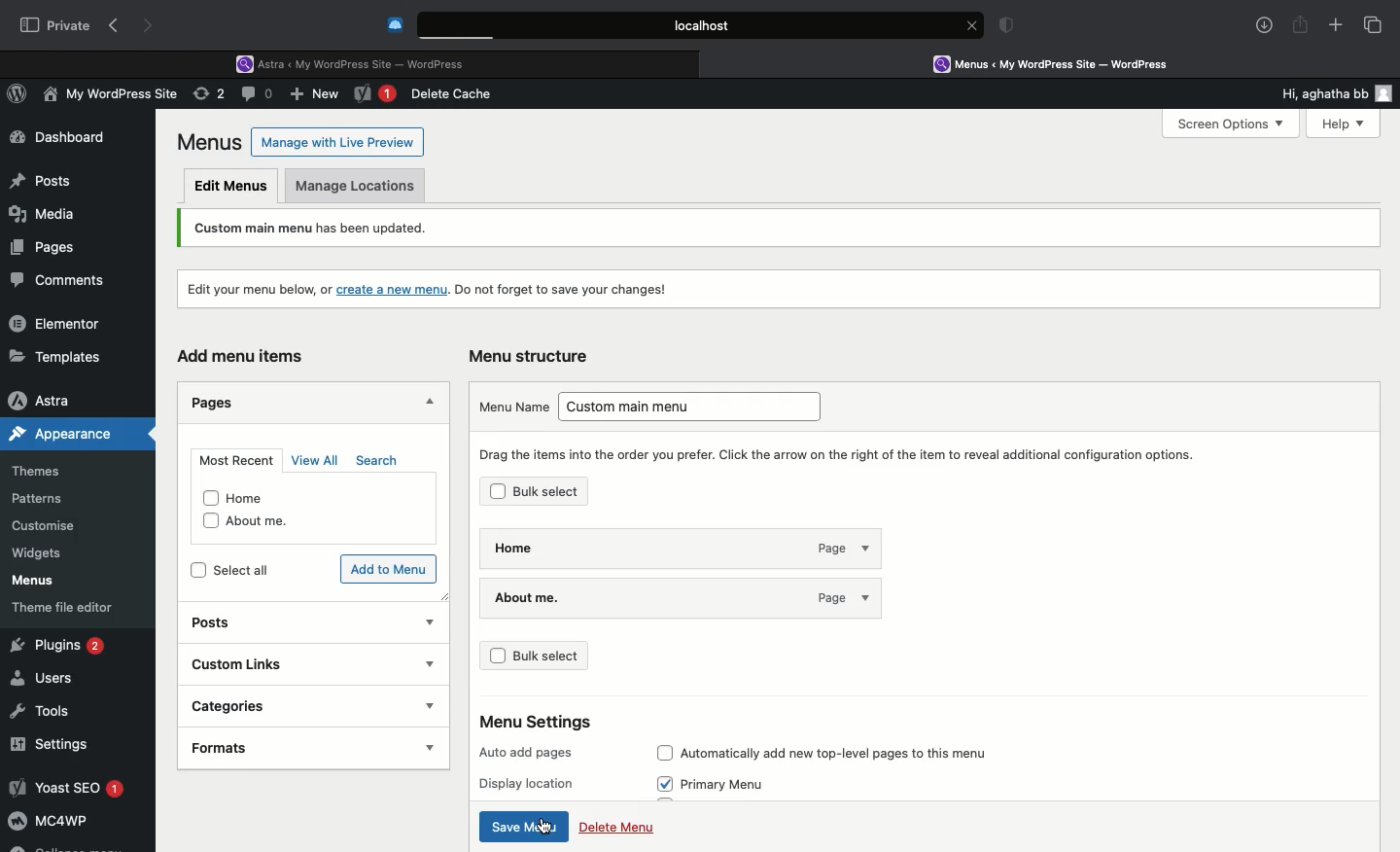 This screenshot has height=852, width=1400. Describe the element at coordinates (214, 406) in the screenshot. I see `Pages` at that location.